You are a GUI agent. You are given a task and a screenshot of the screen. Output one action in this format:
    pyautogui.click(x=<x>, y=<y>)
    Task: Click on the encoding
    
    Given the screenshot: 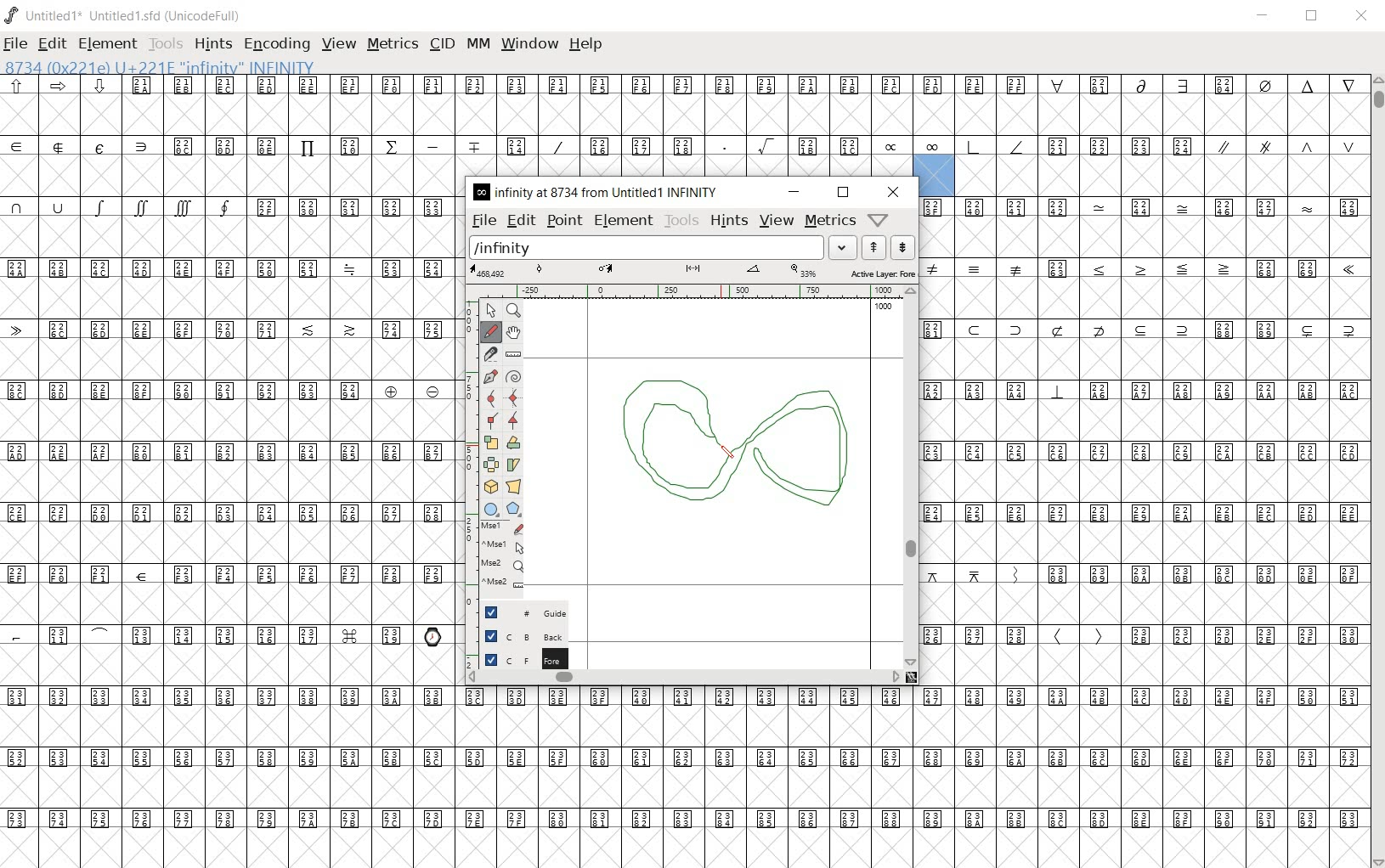 What is the action you would take?
    pyautogui.click(x=277, y=44)
    